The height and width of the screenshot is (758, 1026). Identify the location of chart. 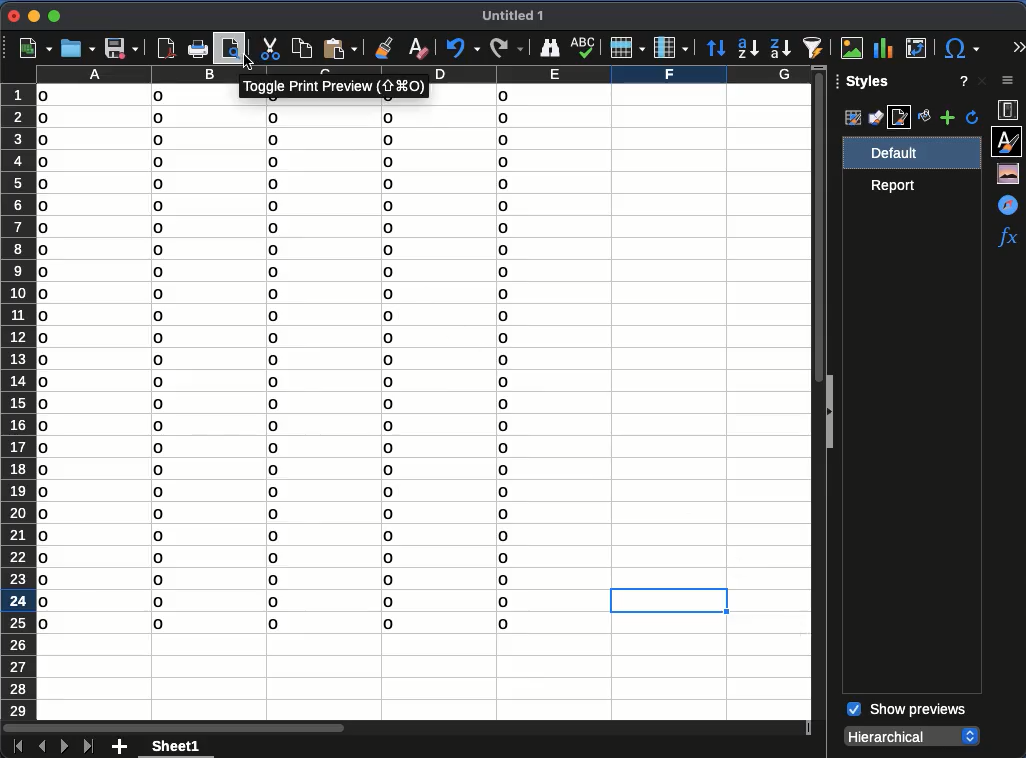
(882, 47).